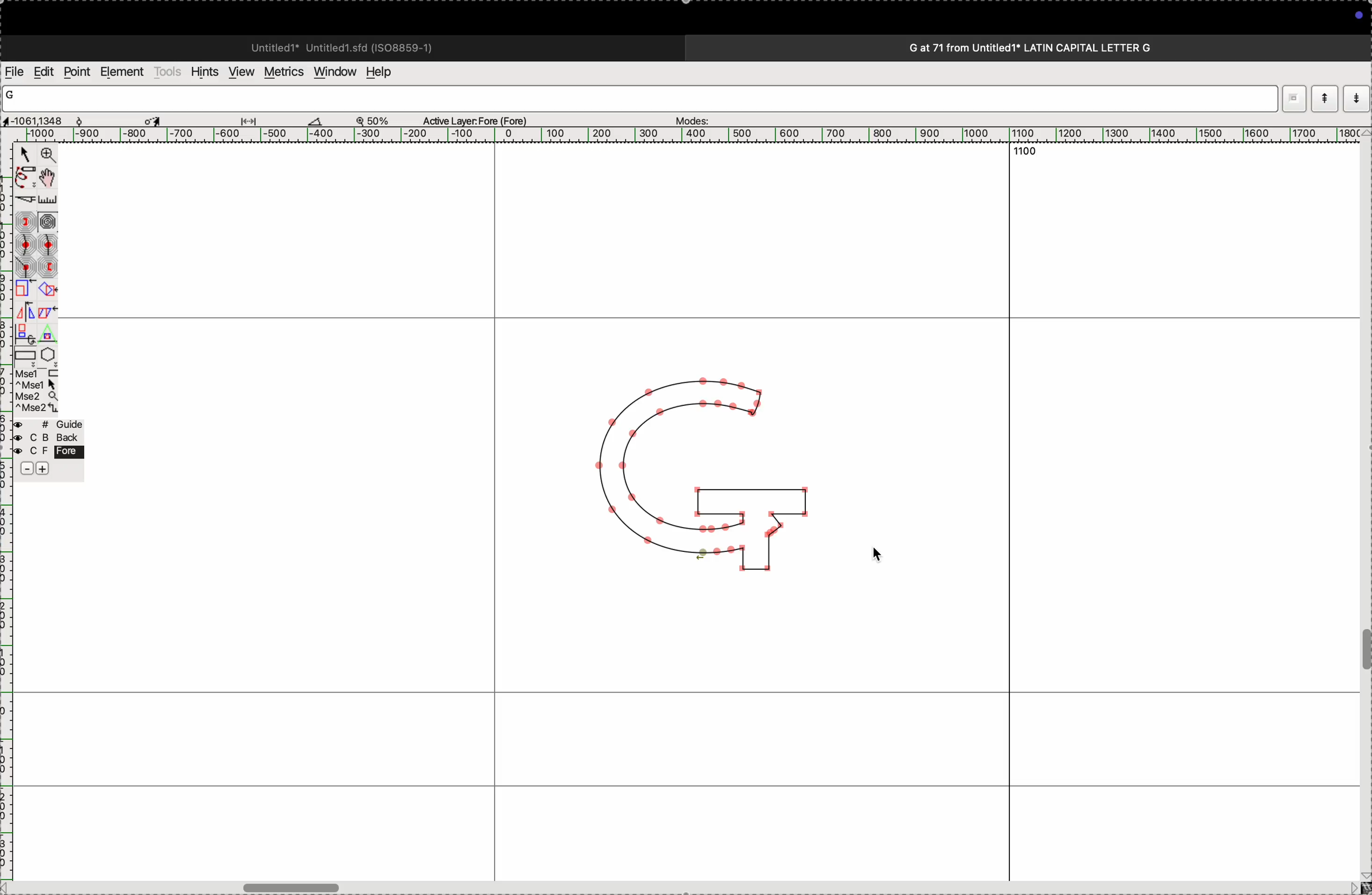  What do you see at coordinates (26, 245) in the screenshot?
I see `gentle curve` at bounding box center [26, 245].